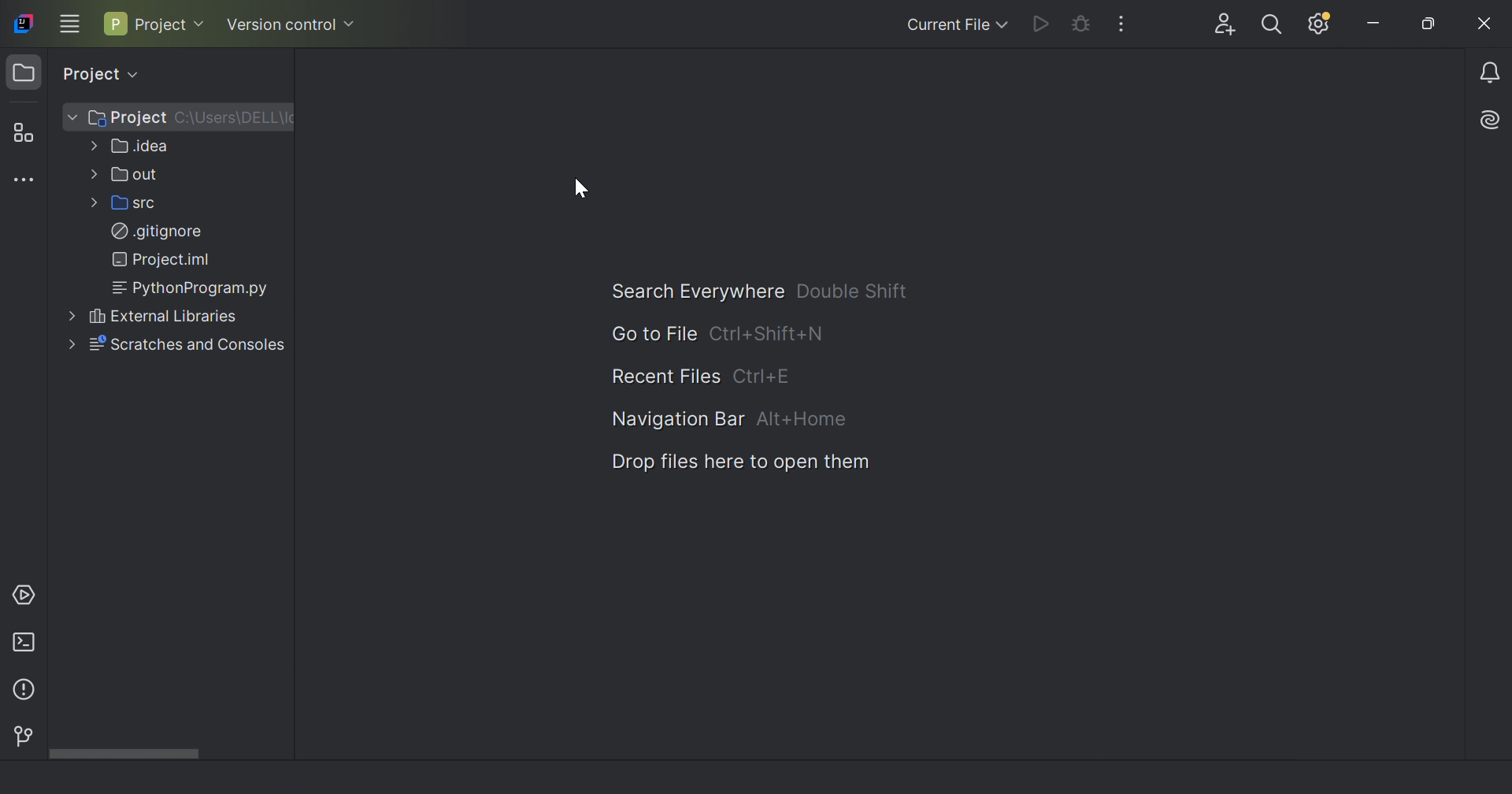 This screenshot has height=794, width=1512. I want to click on src, so click(132, 202).